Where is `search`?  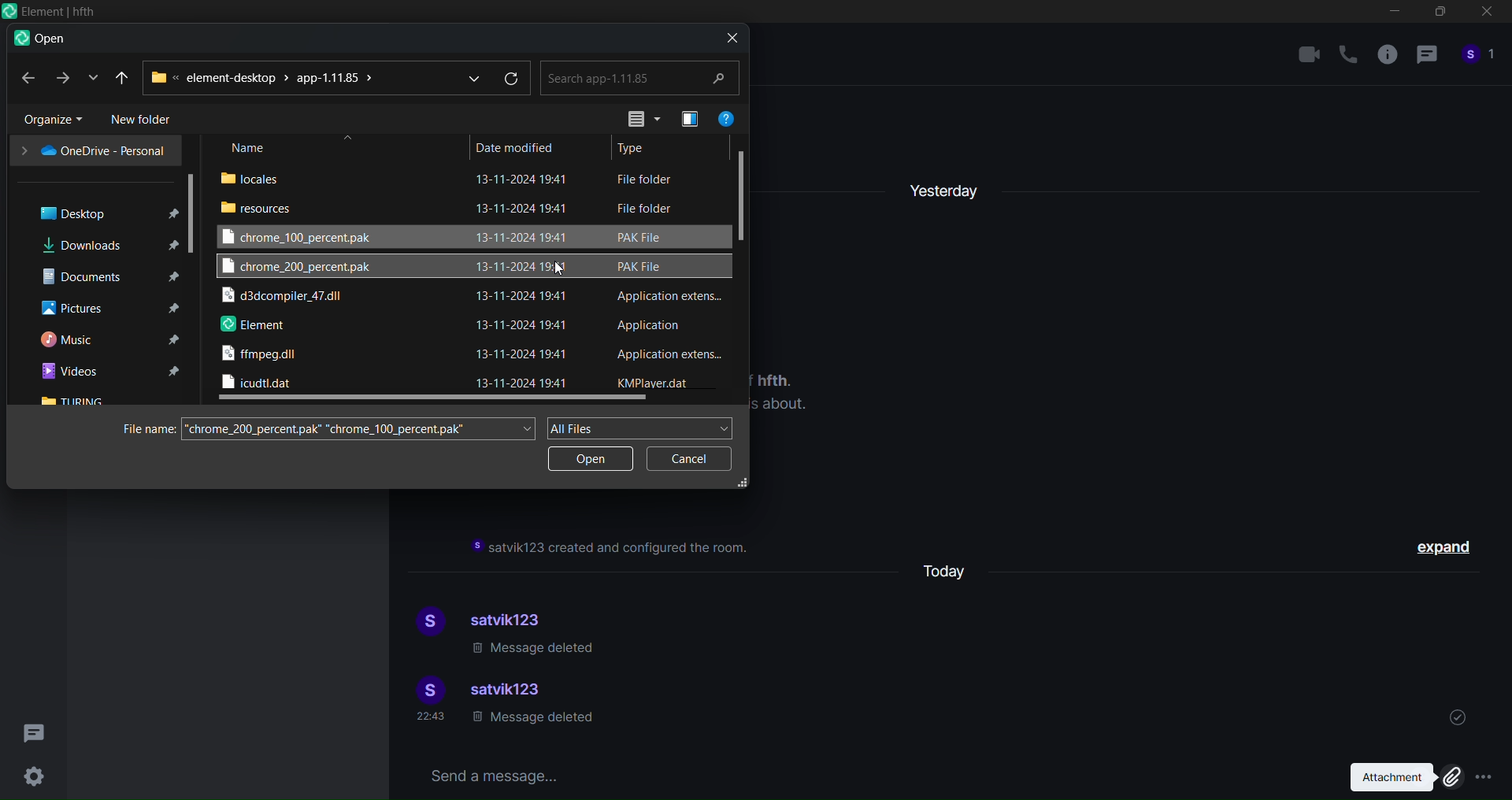
search is located at coordinates (641, 77).